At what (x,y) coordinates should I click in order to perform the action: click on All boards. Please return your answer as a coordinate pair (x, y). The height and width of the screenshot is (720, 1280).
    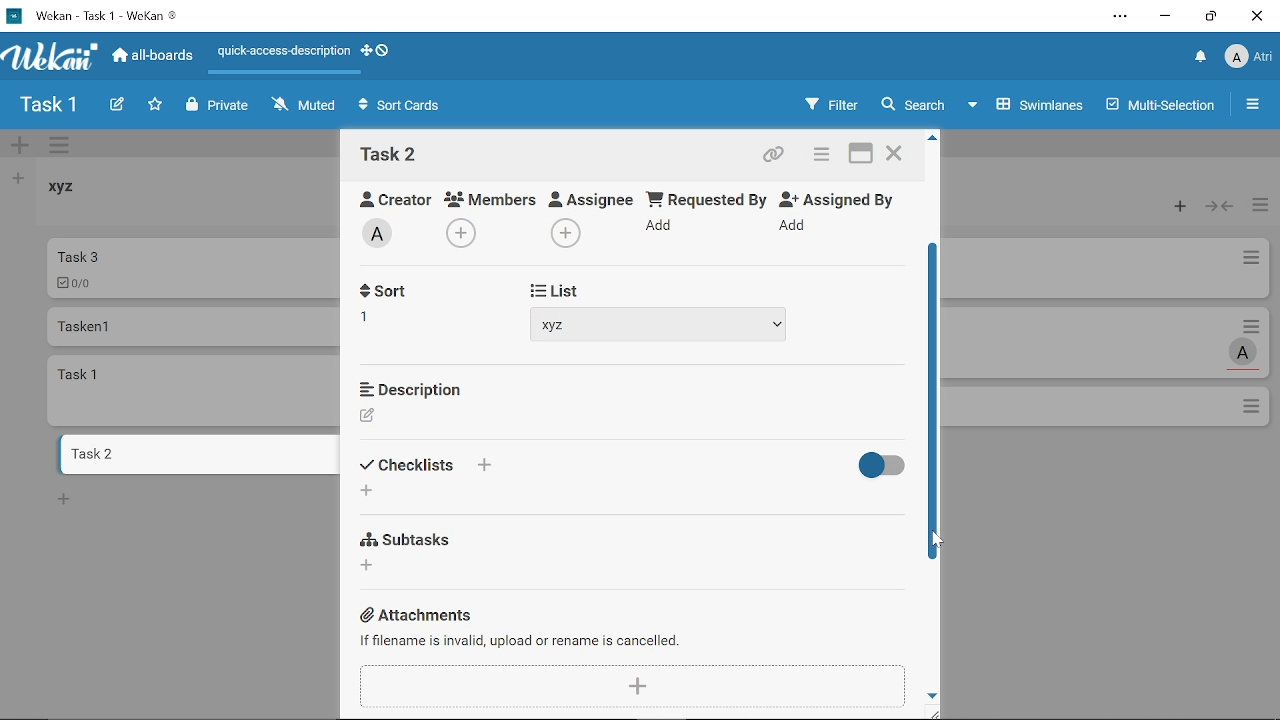
    Looking at the image, I should click on (154, 55).